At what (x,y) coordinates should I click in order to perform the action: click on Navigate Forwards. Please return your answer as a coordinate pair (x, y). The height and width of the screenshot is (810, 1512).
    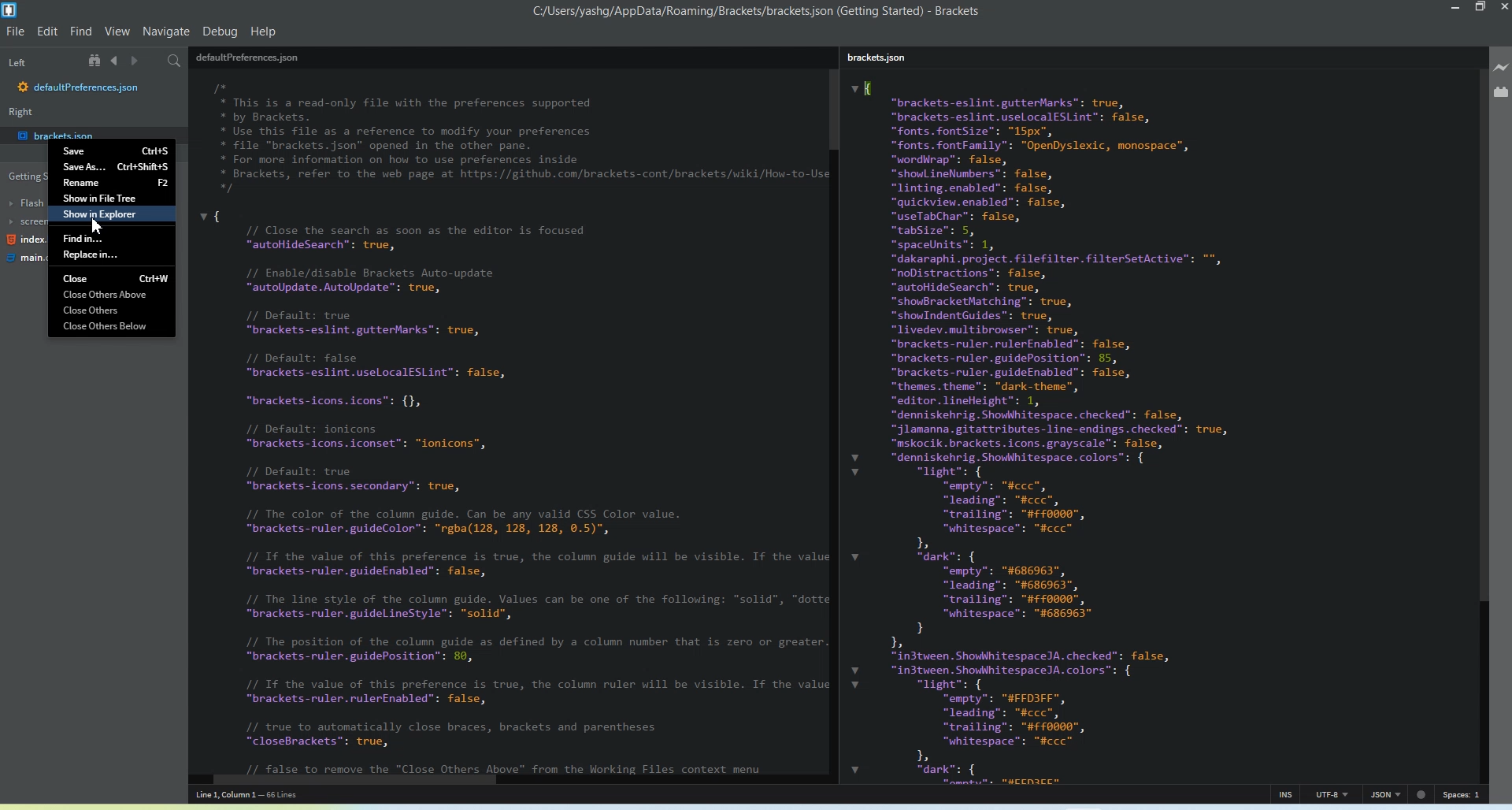
    Looking at the image, I should click on (139, 61).